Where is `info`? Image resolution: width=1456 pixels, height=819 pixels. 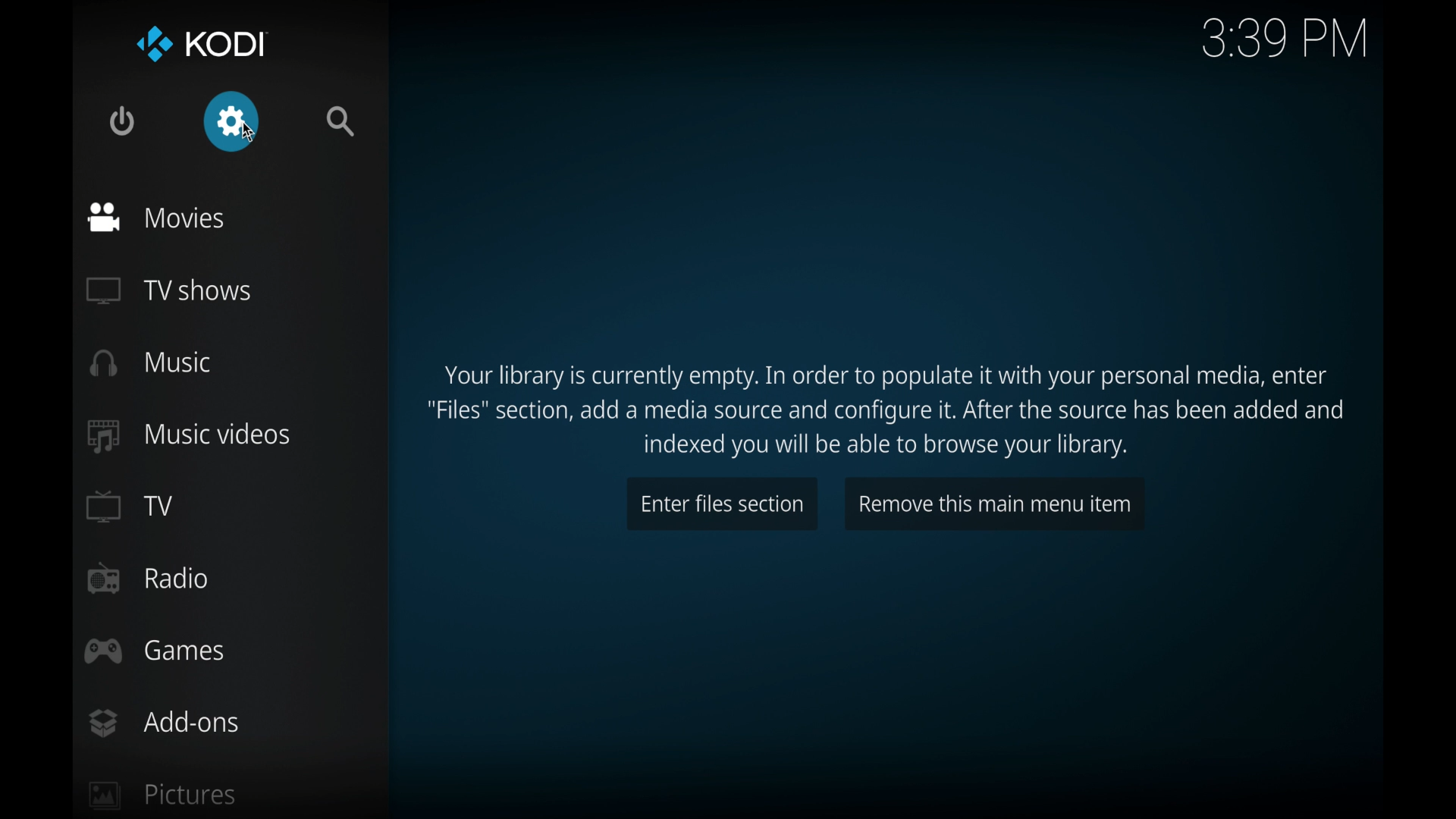 info is located at coordinates (888, 412).